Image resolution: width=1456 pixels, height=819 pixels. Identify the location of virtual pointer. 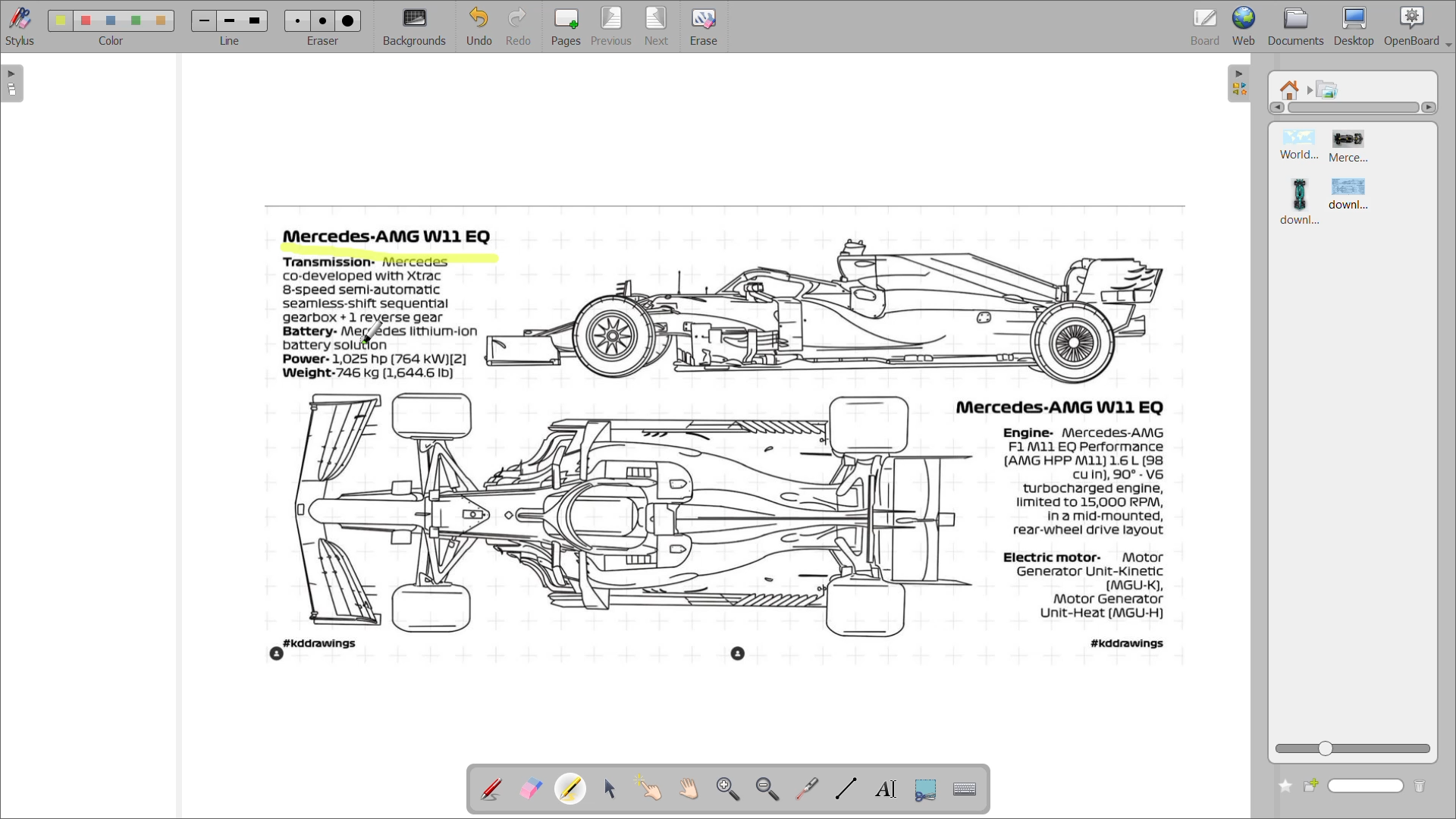
(808, 789).